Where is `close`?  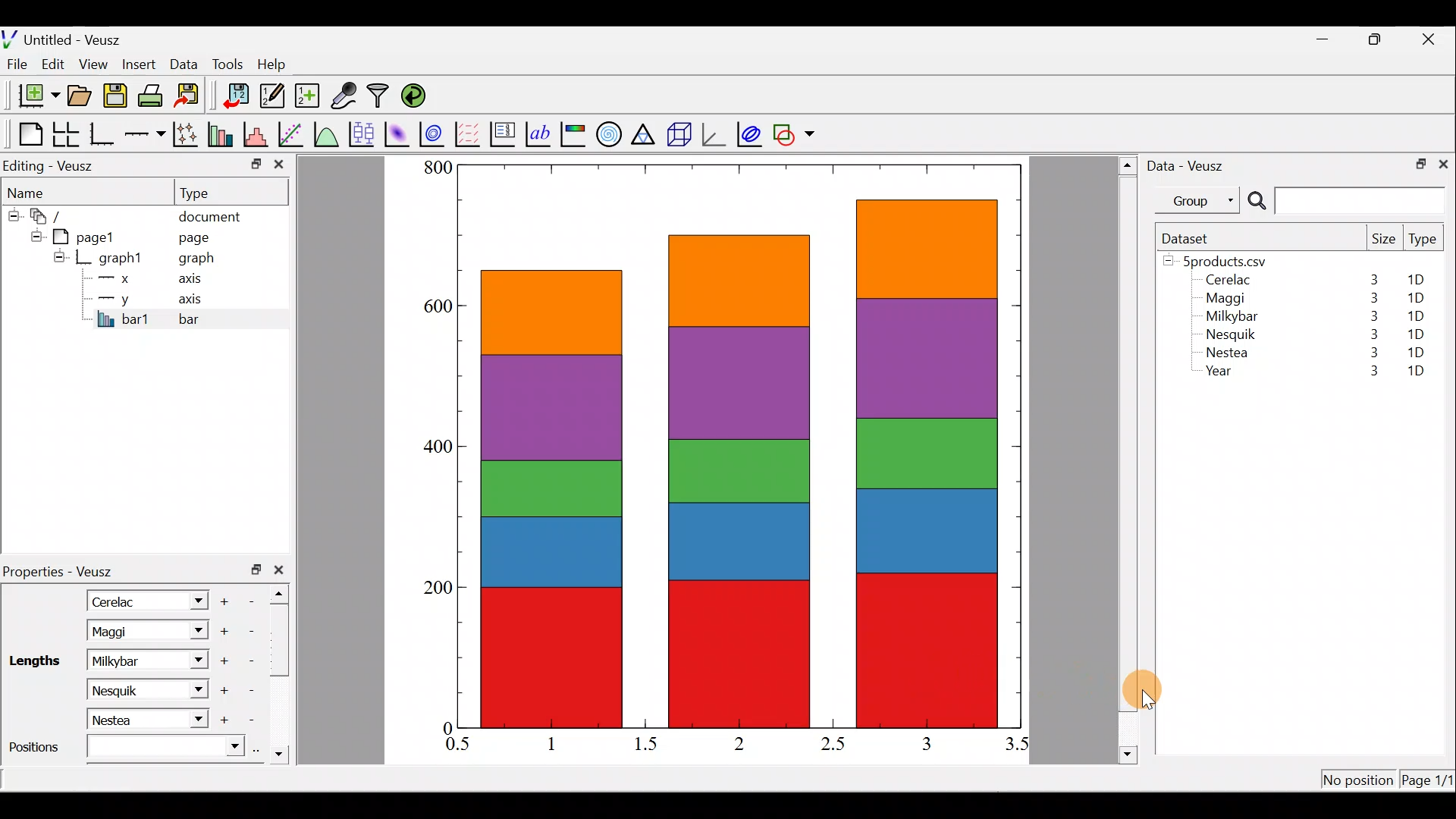
close is located at coordinates (1443, 163).